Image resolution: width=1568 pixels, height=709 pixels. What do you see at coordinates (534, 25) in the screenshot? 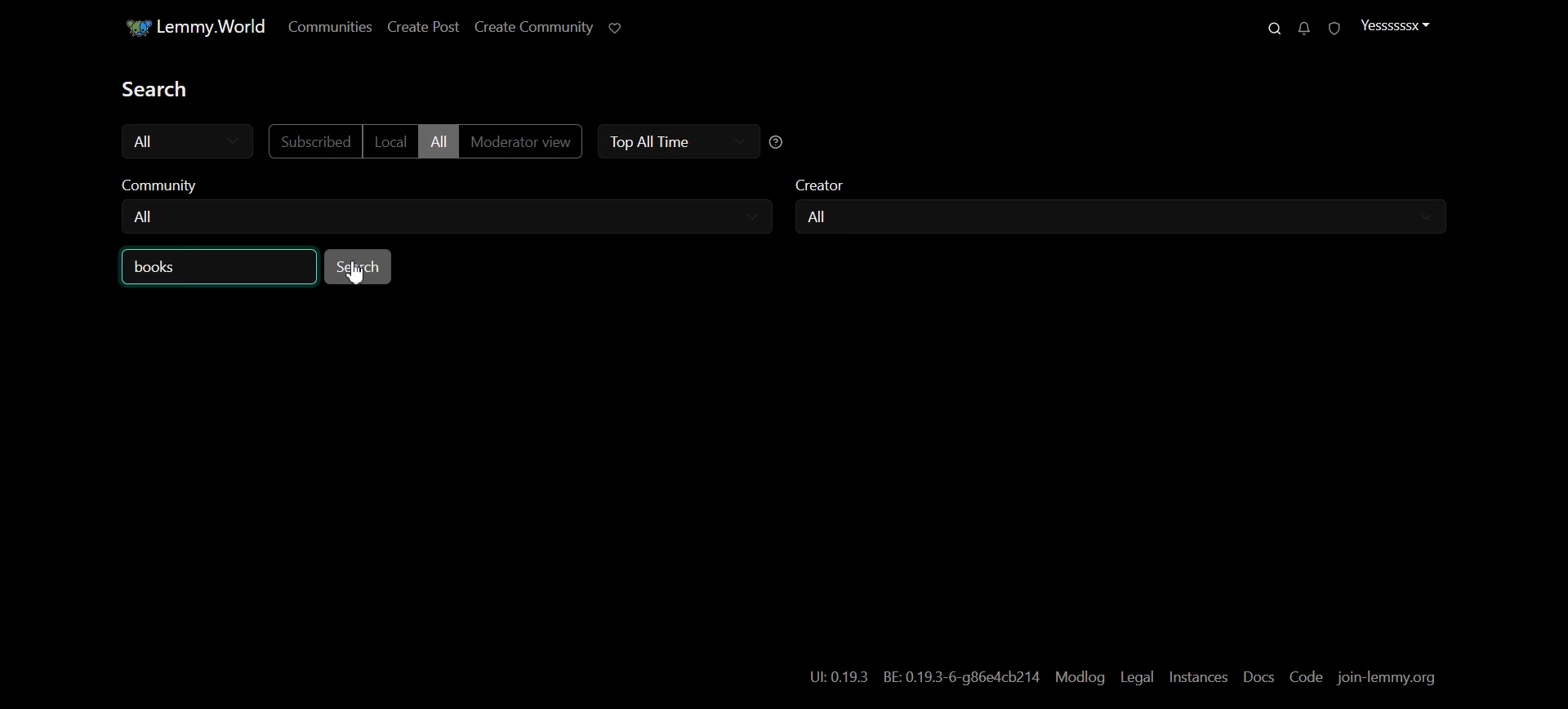
I see `Create Community` at bounding box center [534, 25].